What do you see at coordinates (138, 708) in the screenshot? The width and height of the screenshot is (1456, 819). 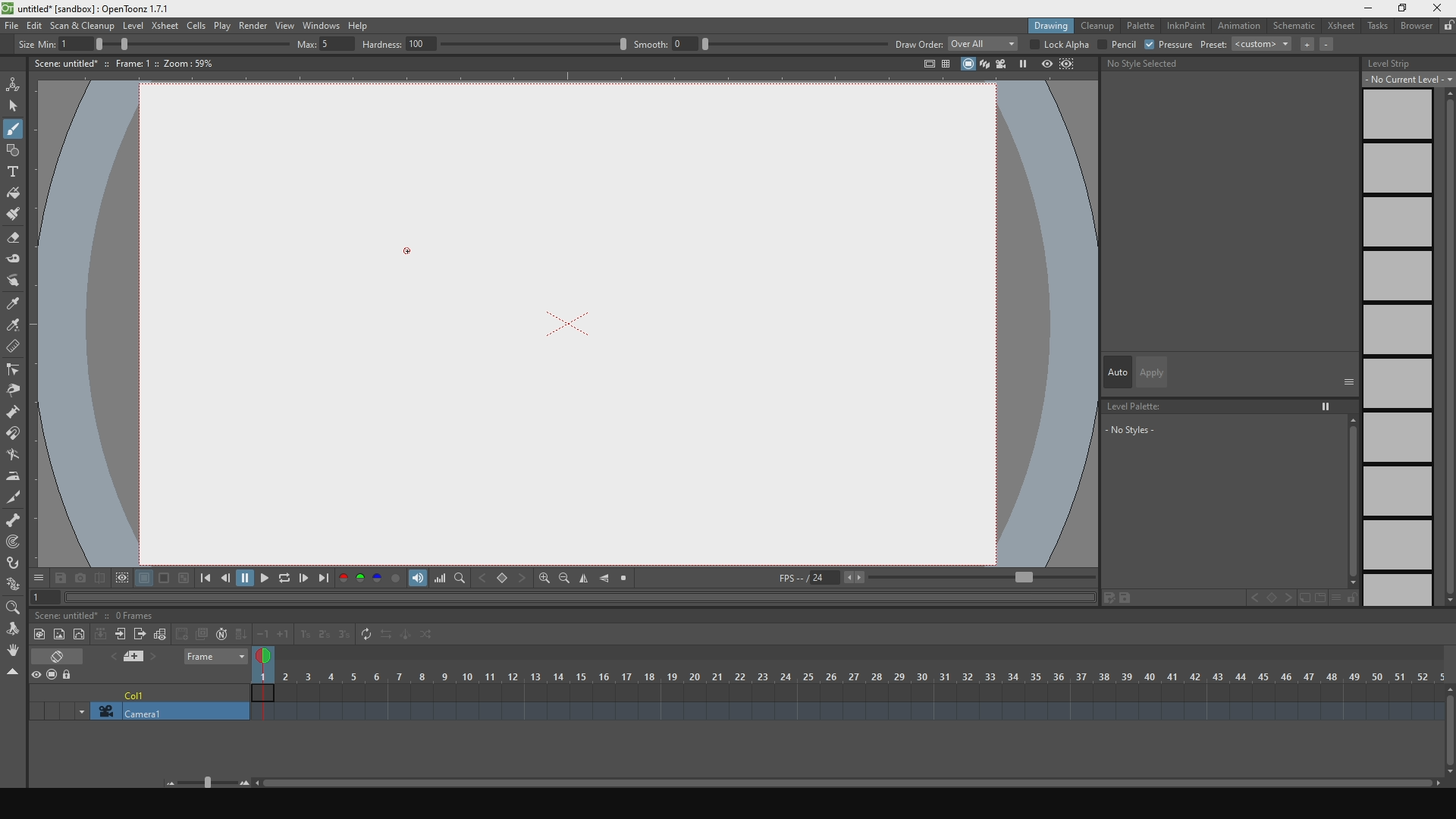 I see `camera` at bounding box center [138, 708].